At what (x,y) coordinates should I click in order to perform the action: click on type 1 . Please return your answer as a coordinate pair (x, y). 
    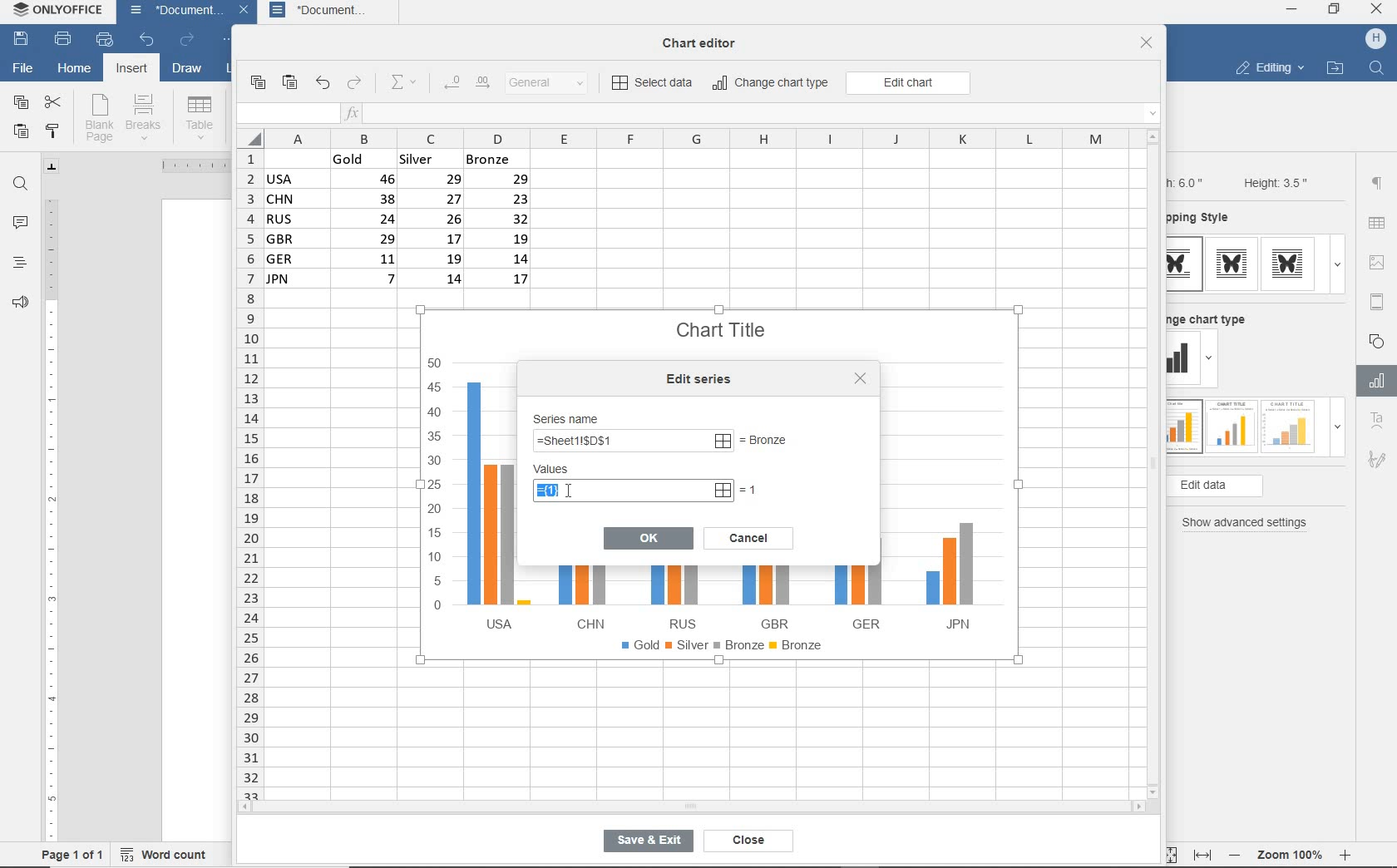
    Looking at the image, I should click on (1183, 427).